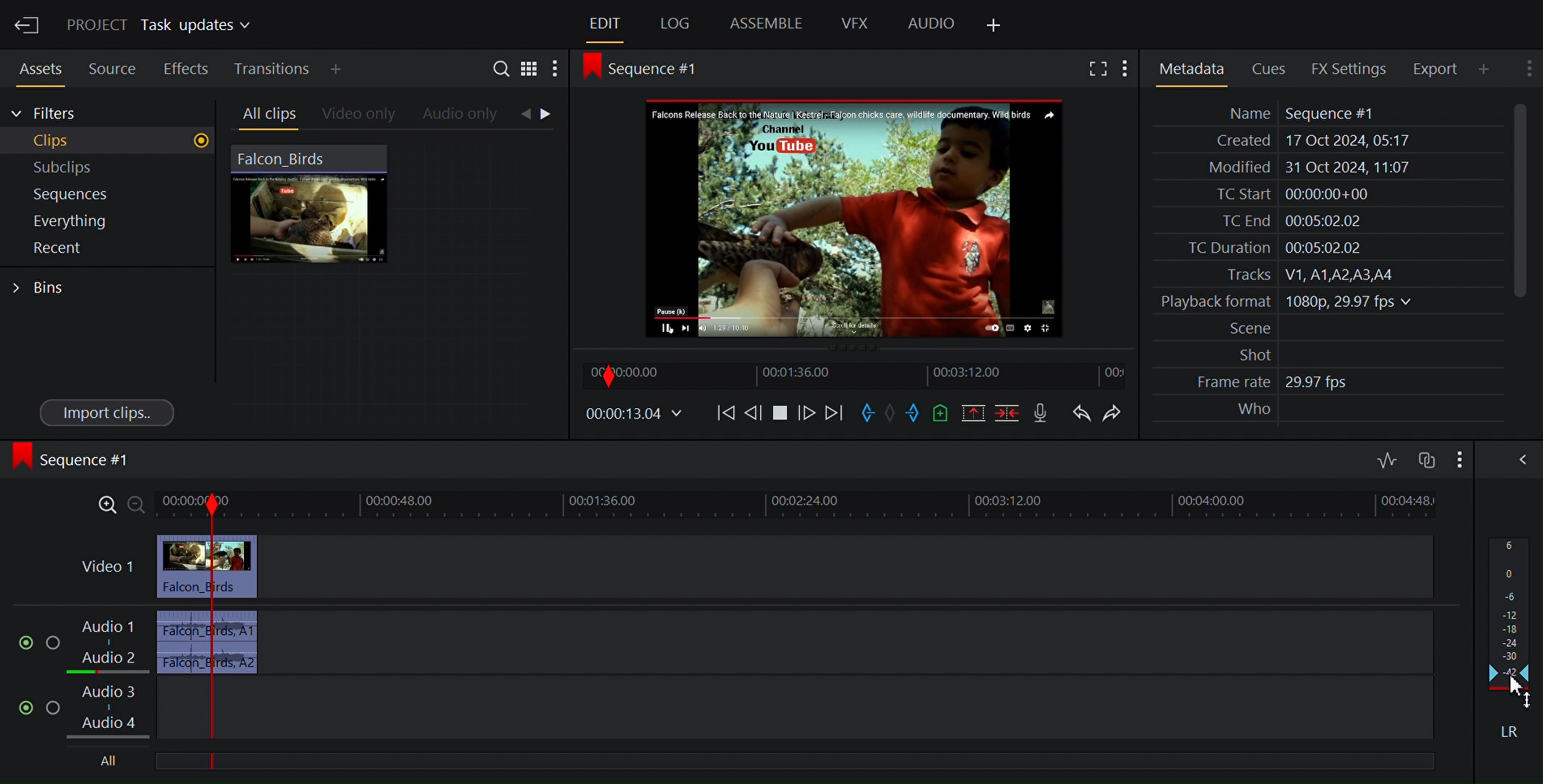  I want to click on Frame rate, so click(1225, 382).